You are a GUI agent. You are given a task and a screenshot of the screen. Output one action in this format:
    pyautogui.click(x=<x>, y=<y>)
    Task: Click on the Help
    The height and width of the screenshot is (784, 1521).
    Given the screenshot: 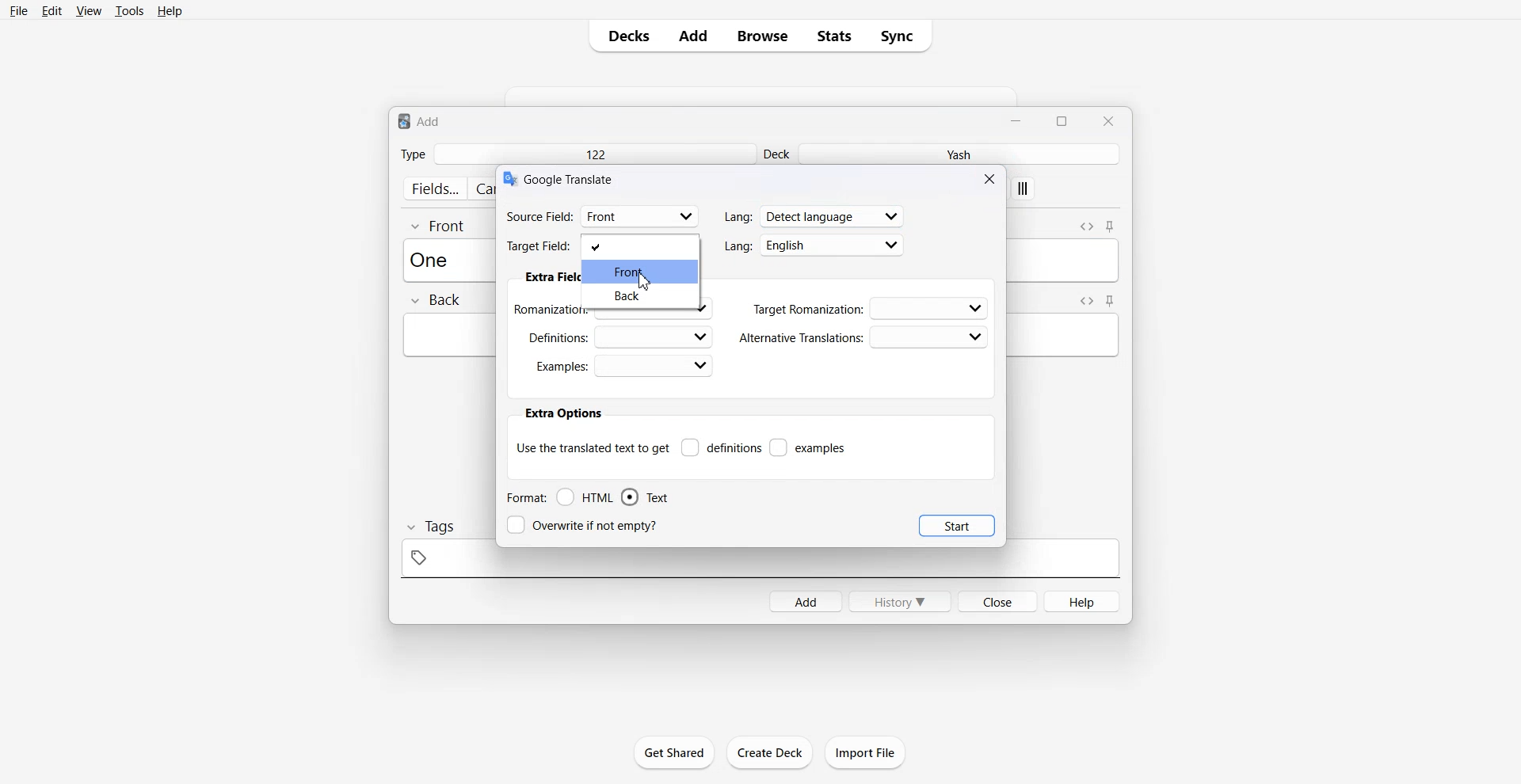 What is the action you would take?
    pyautogui.click(x=1083, y=601)
    